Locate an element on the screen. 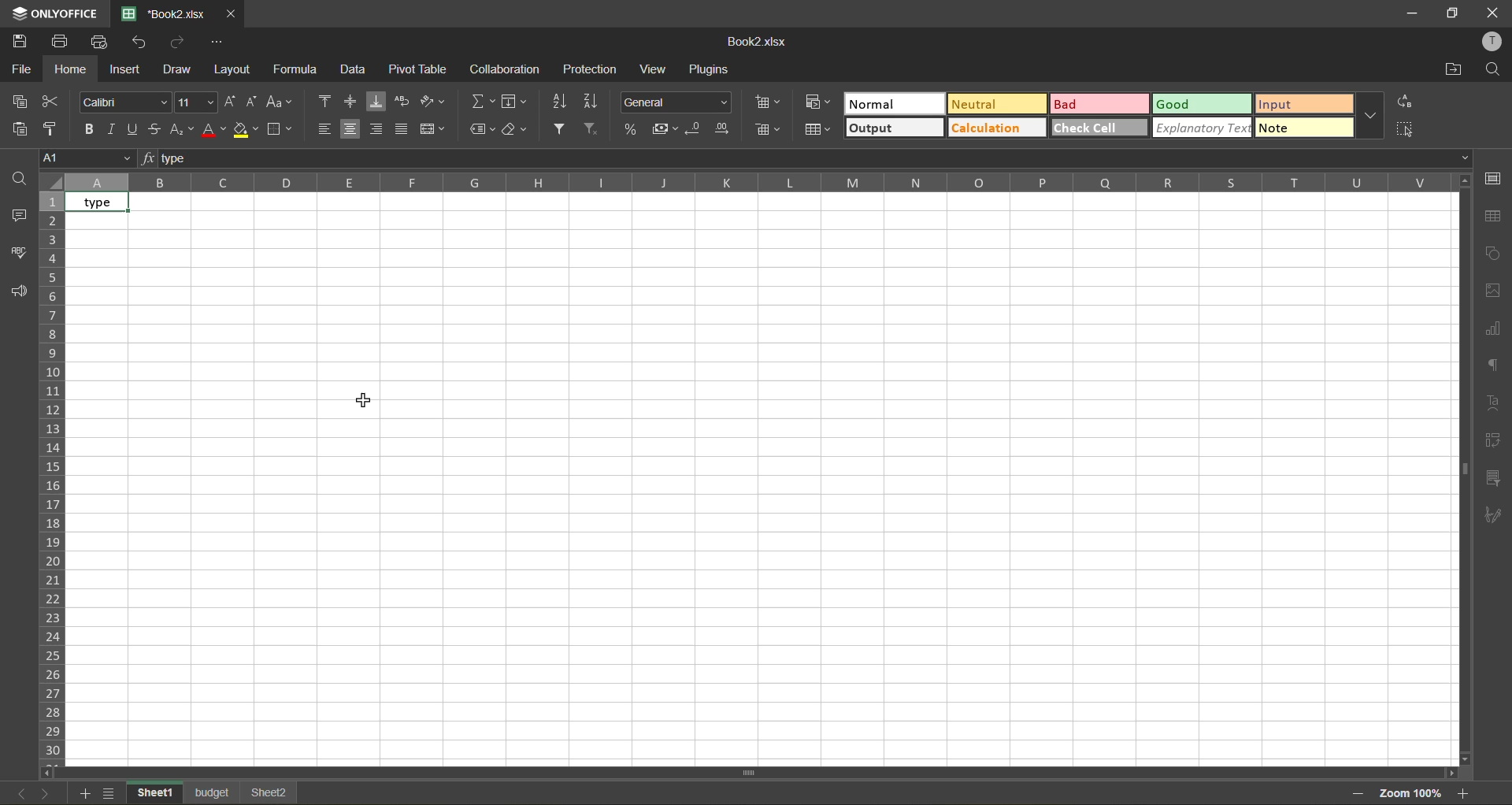  file is located at coordinates (19, 69).